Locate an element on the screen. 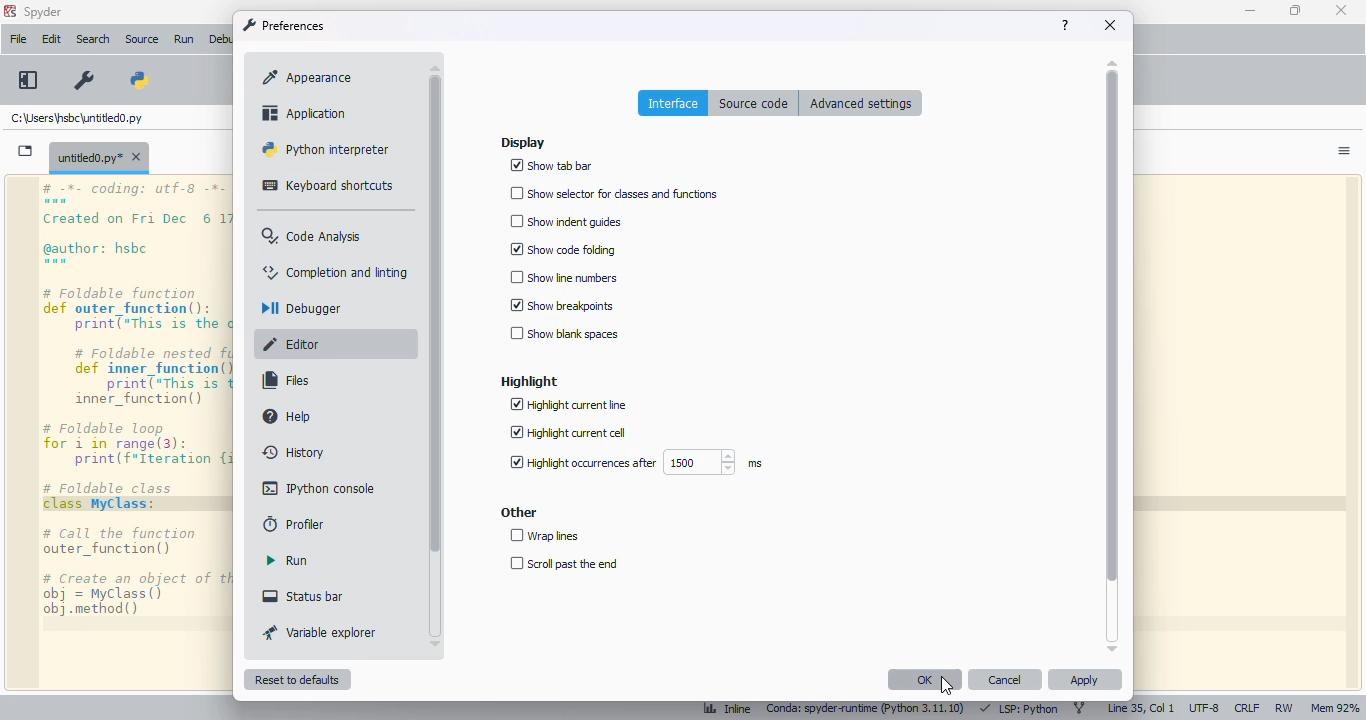 The width and height of the screenshot is (1366, 720). browse tabs is located at coordinates (26, 151).